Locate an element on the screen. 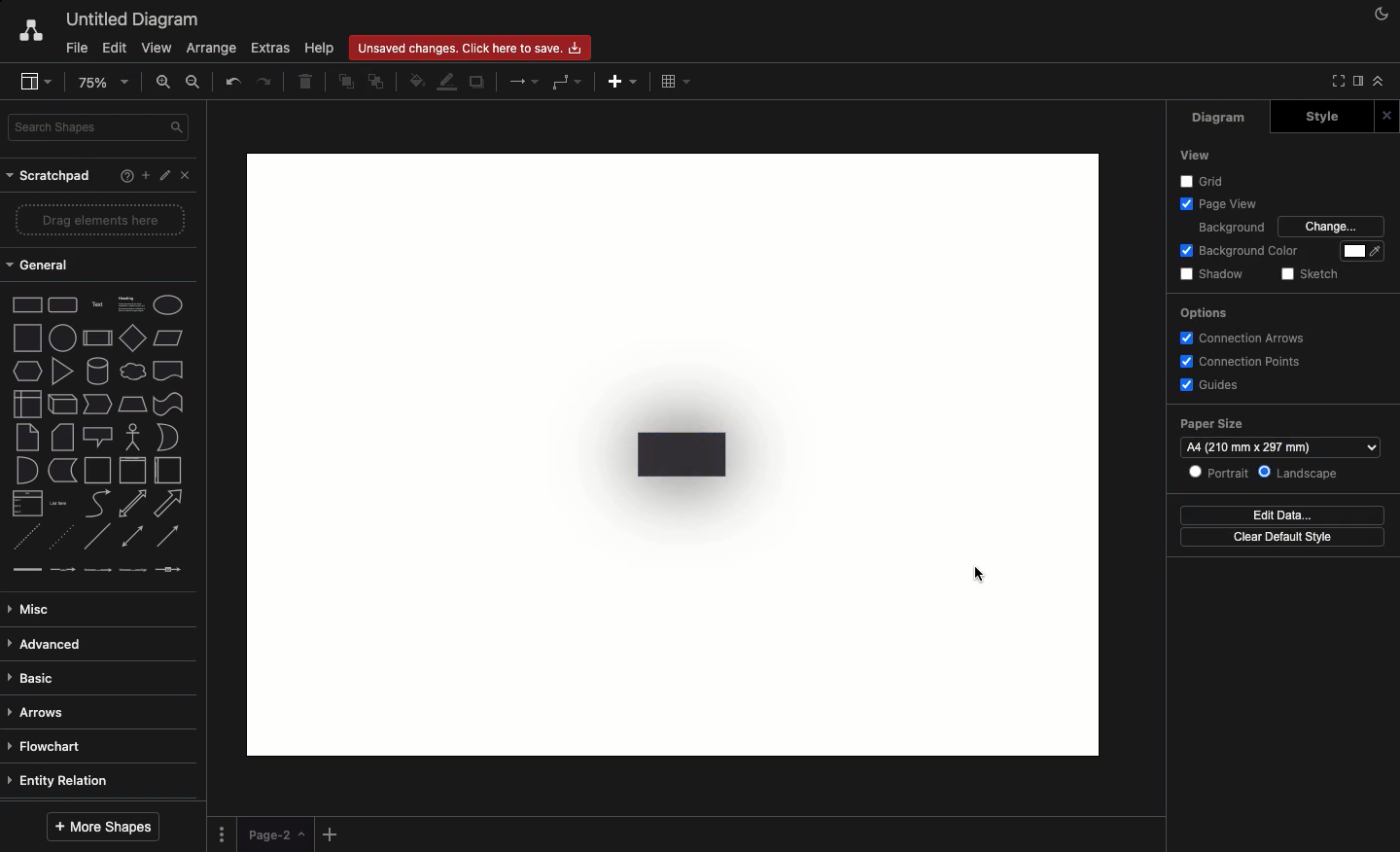  data storage is located at coordinates (63, 471).